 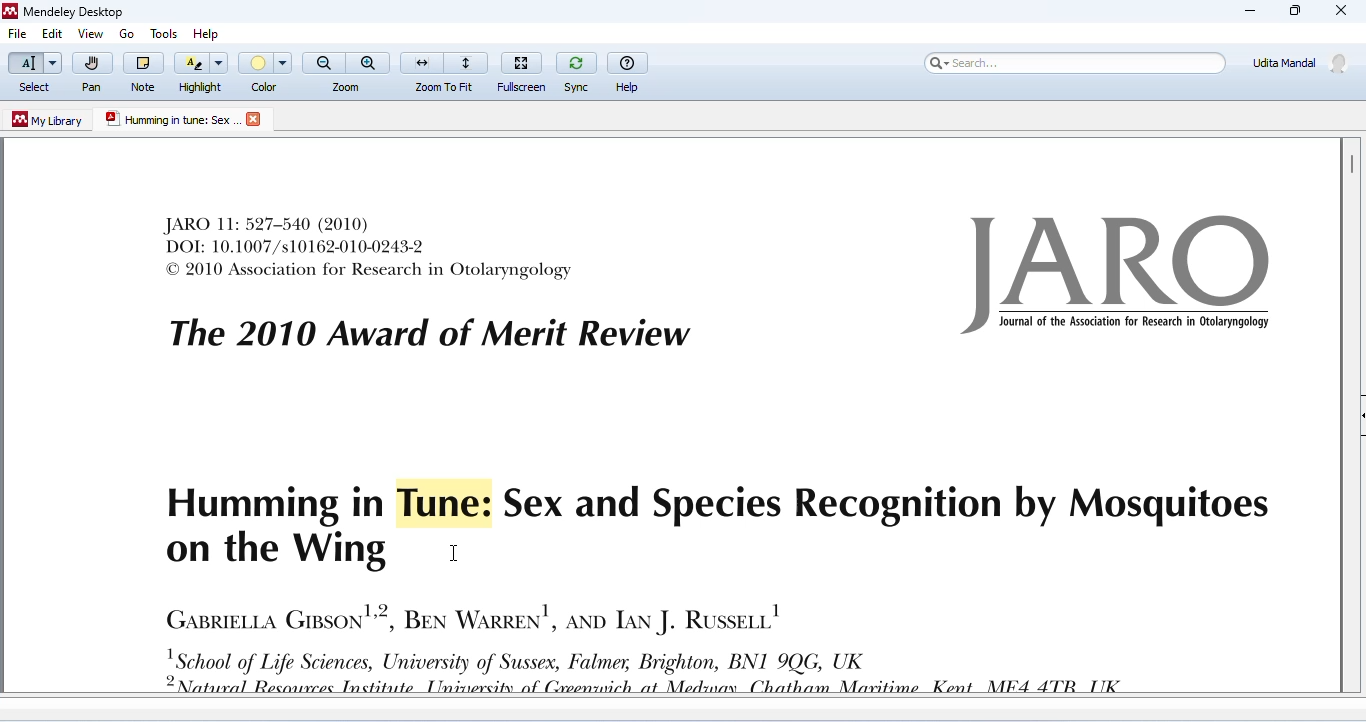 What do you see at coordinates (129, 34) in the screenshot?
I see `Go` at bounding box center [129, 34].